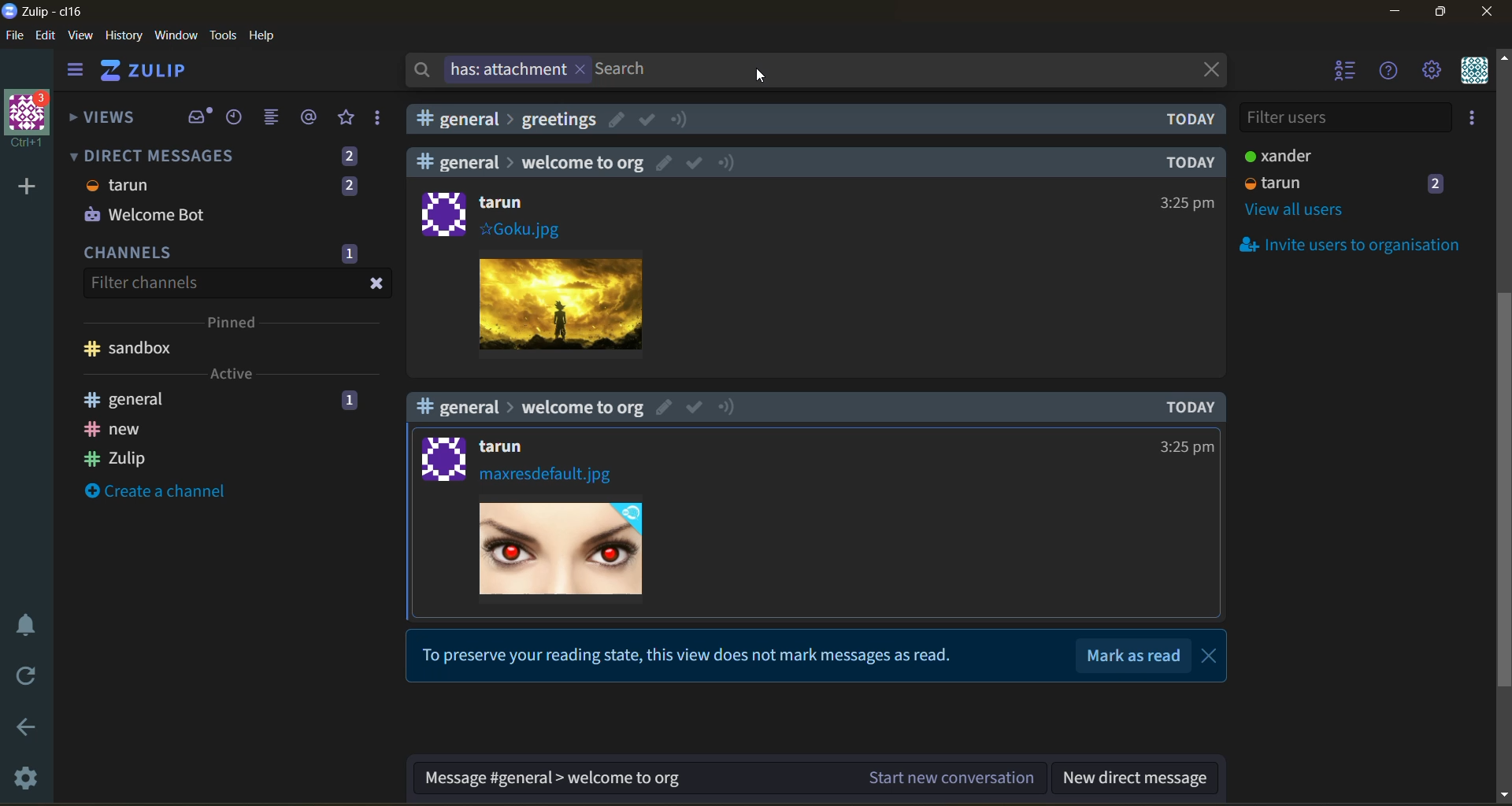  Describe the element at coordinates (15, 36) in the screenshot. I see `file` at that location.